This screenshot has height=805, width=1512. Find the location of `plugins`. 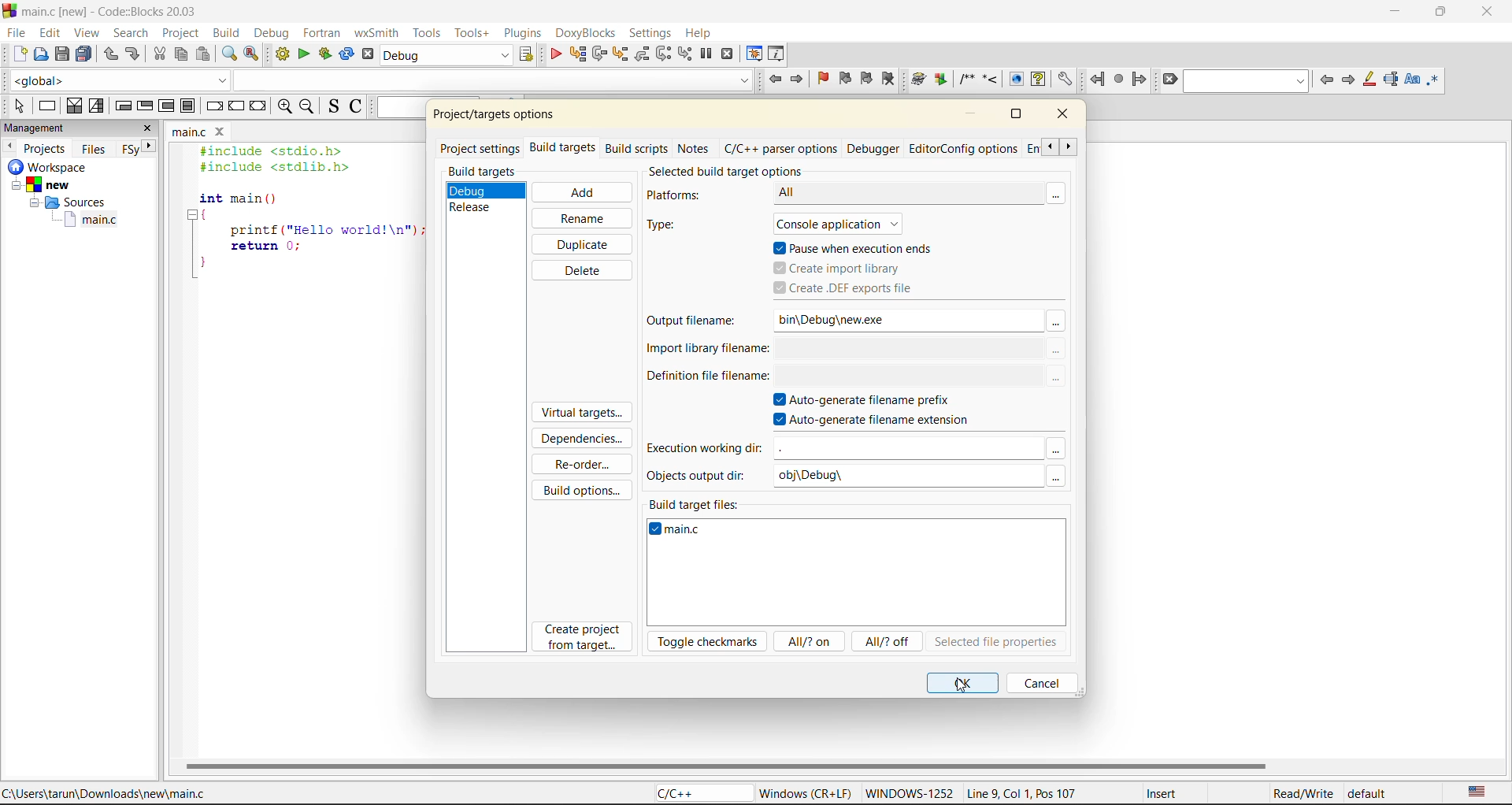

plugins is located at coordinates (522, 35).